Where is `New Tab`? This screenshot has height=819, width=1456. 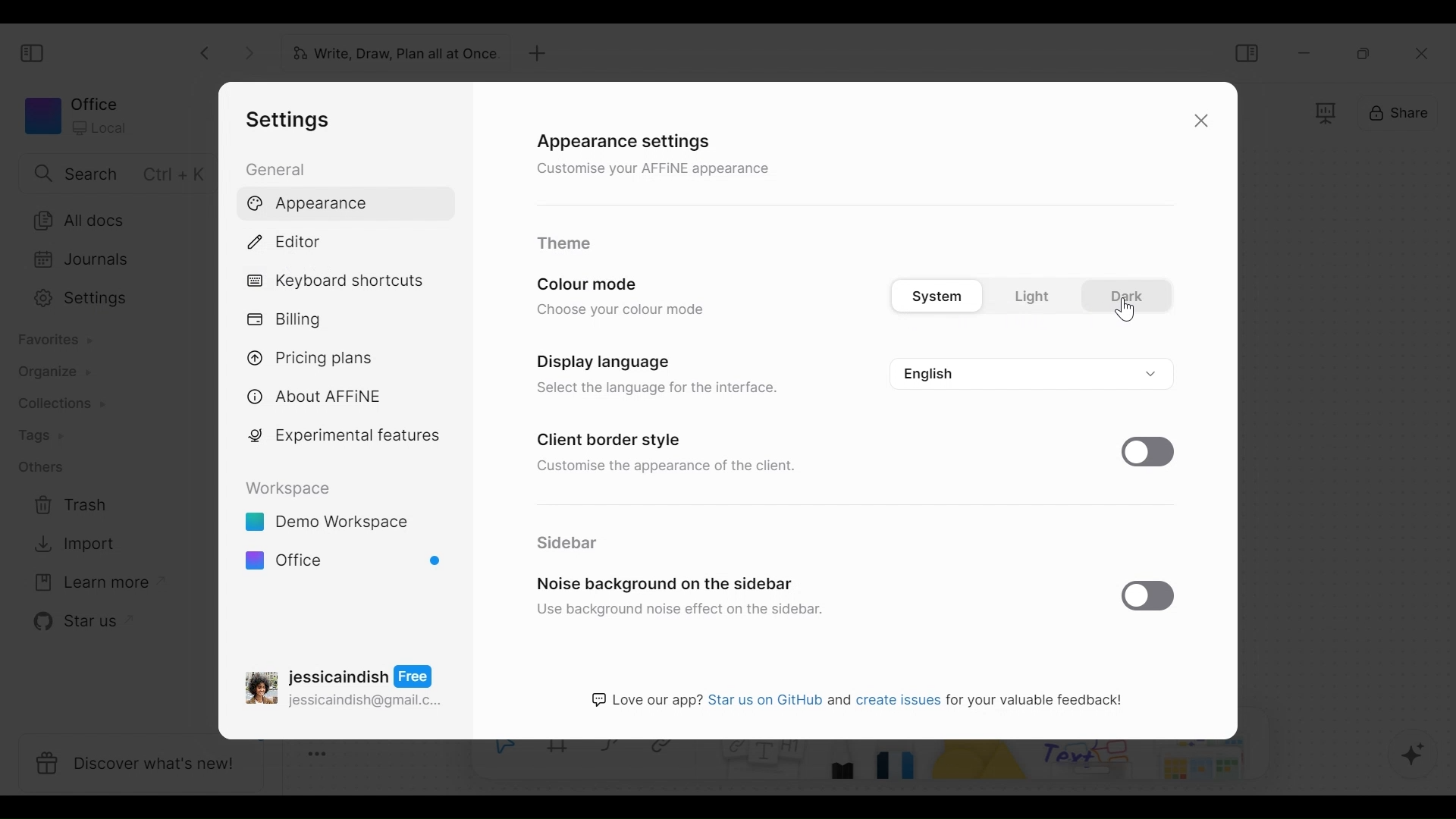
New Tab is located at coordinates (538, 53).